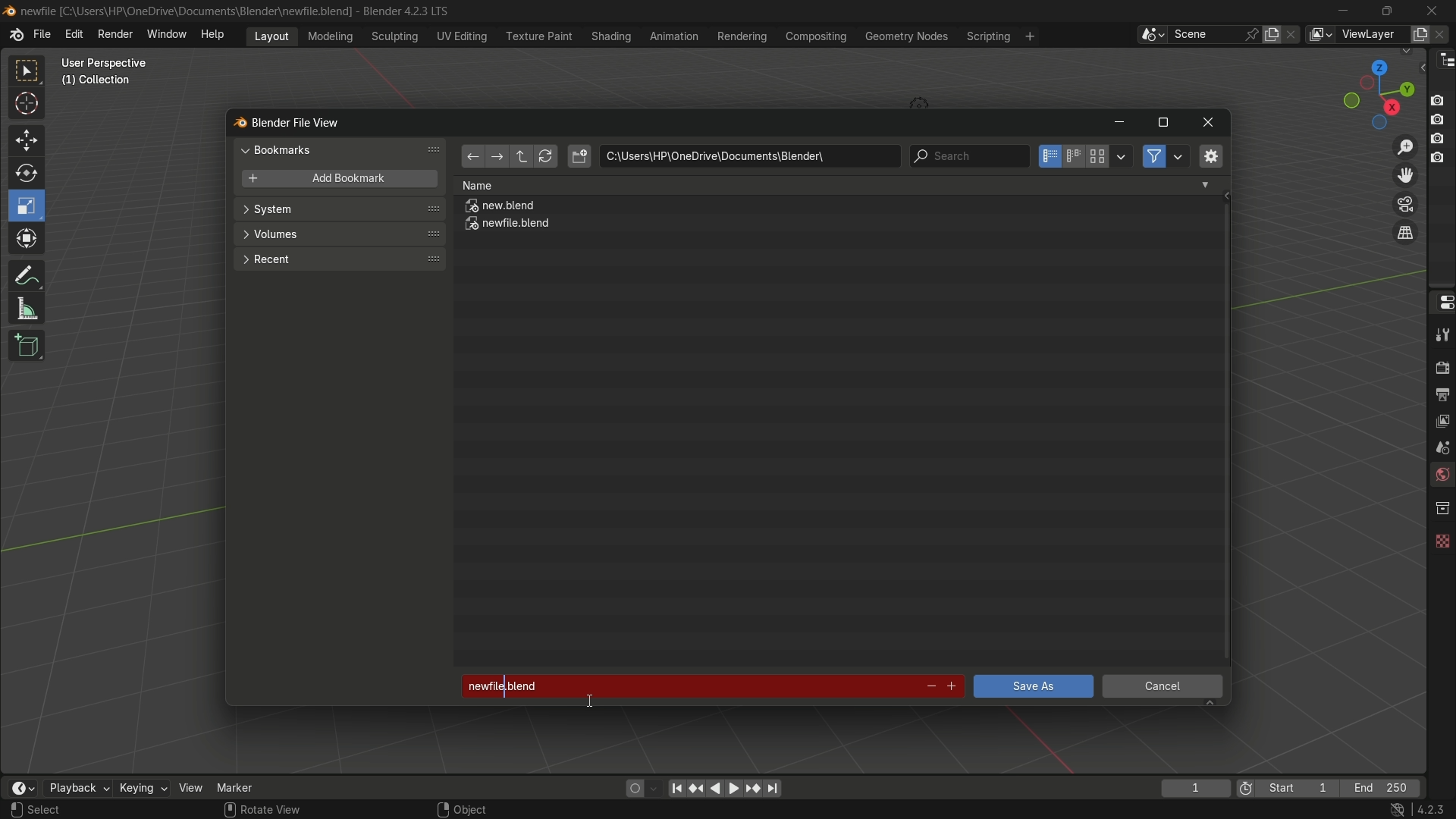 The width and height of the screenshot is (1456, 819). What do you see at coordinates (1432, 10) in the screenshot?
I see `close app` at bounding box center [1432, 10].